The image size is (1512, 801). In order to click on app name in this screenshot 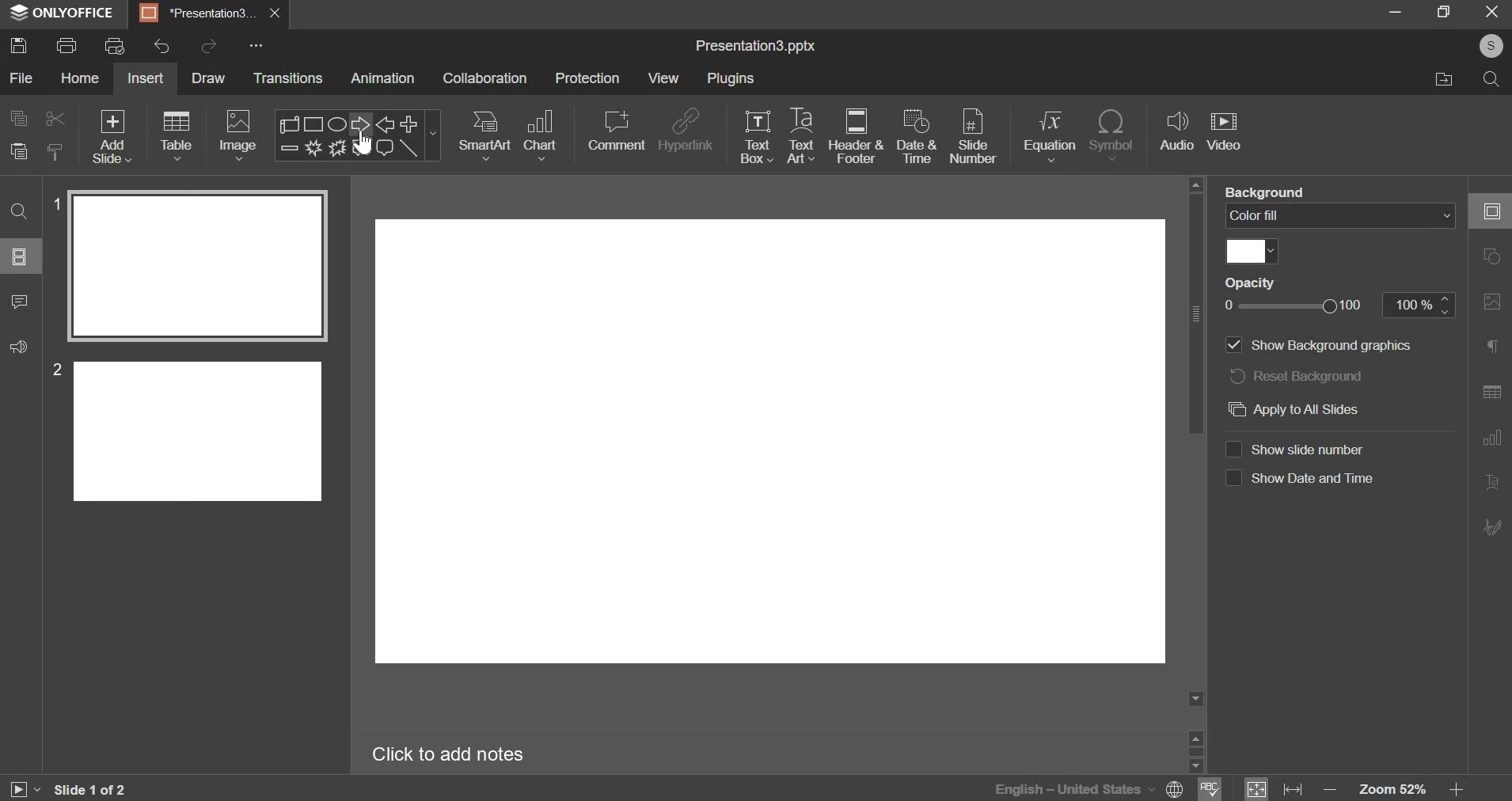, I will do `click(63, 16)`.